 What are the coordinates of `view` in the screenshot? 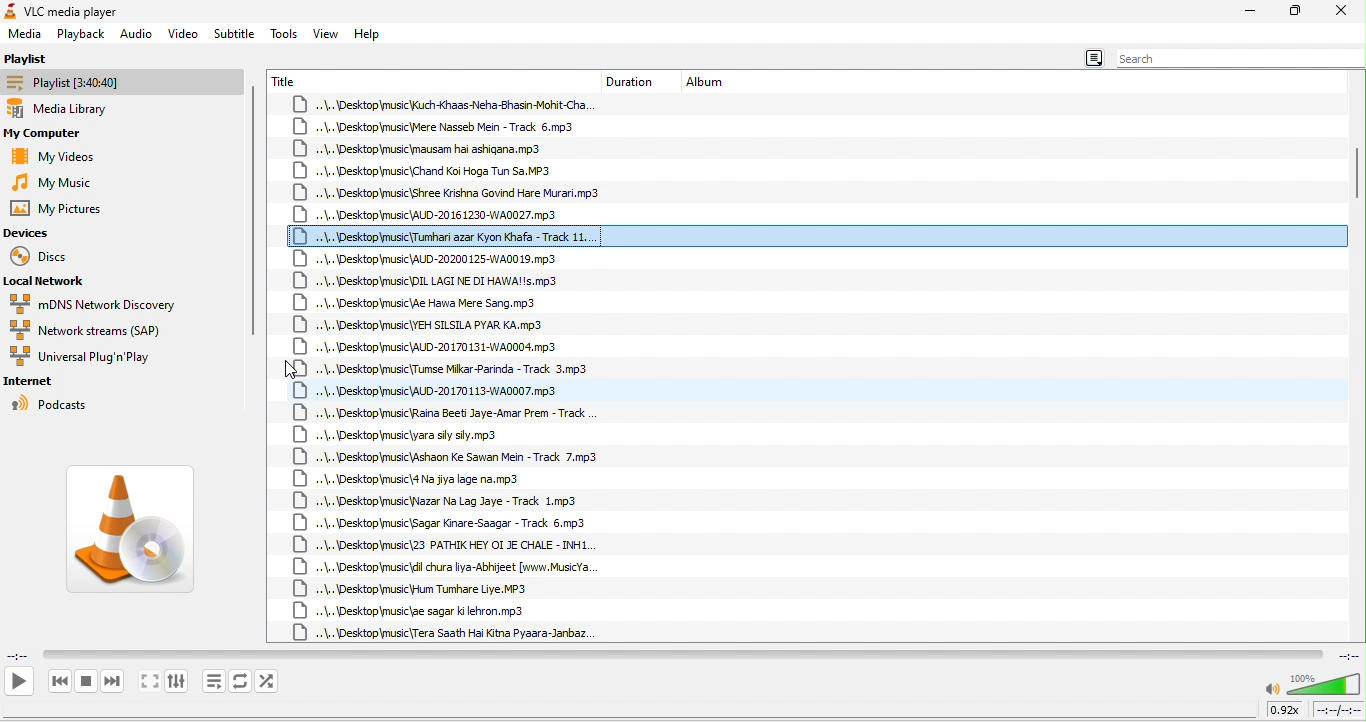 It's located at (327, 33).